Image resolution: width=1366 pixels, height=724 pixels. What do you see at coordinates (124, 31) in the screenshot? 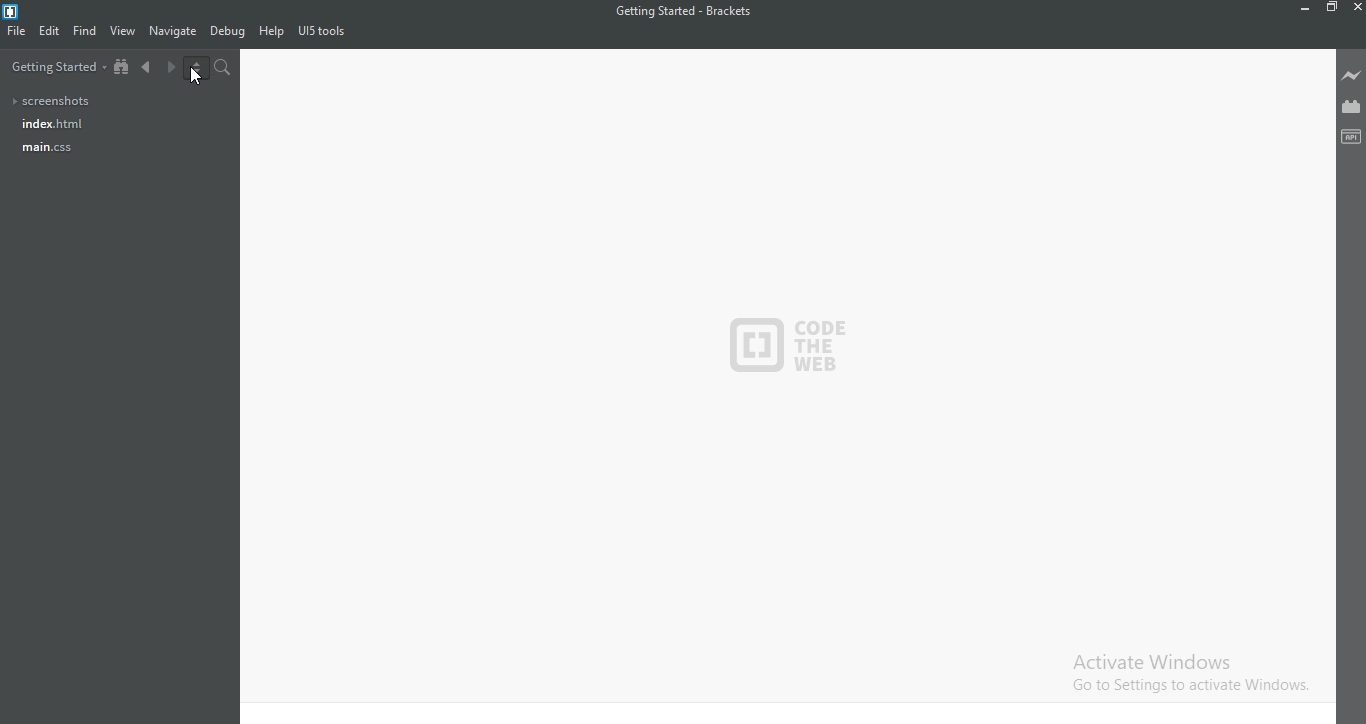
I see `View` at bounding box center [124, 31].